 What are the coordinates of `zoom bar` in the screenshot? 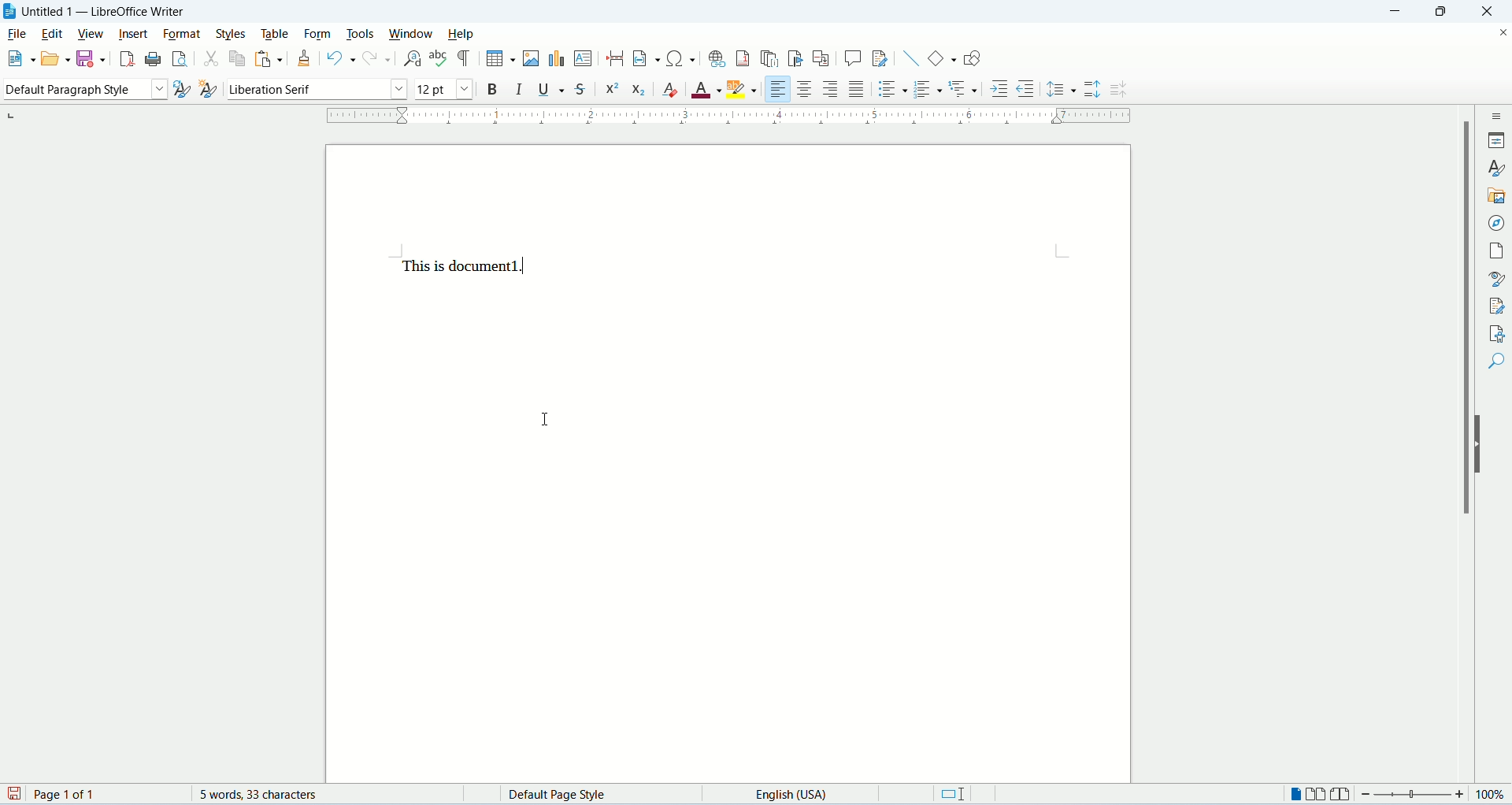 It's located at (1414, 793).